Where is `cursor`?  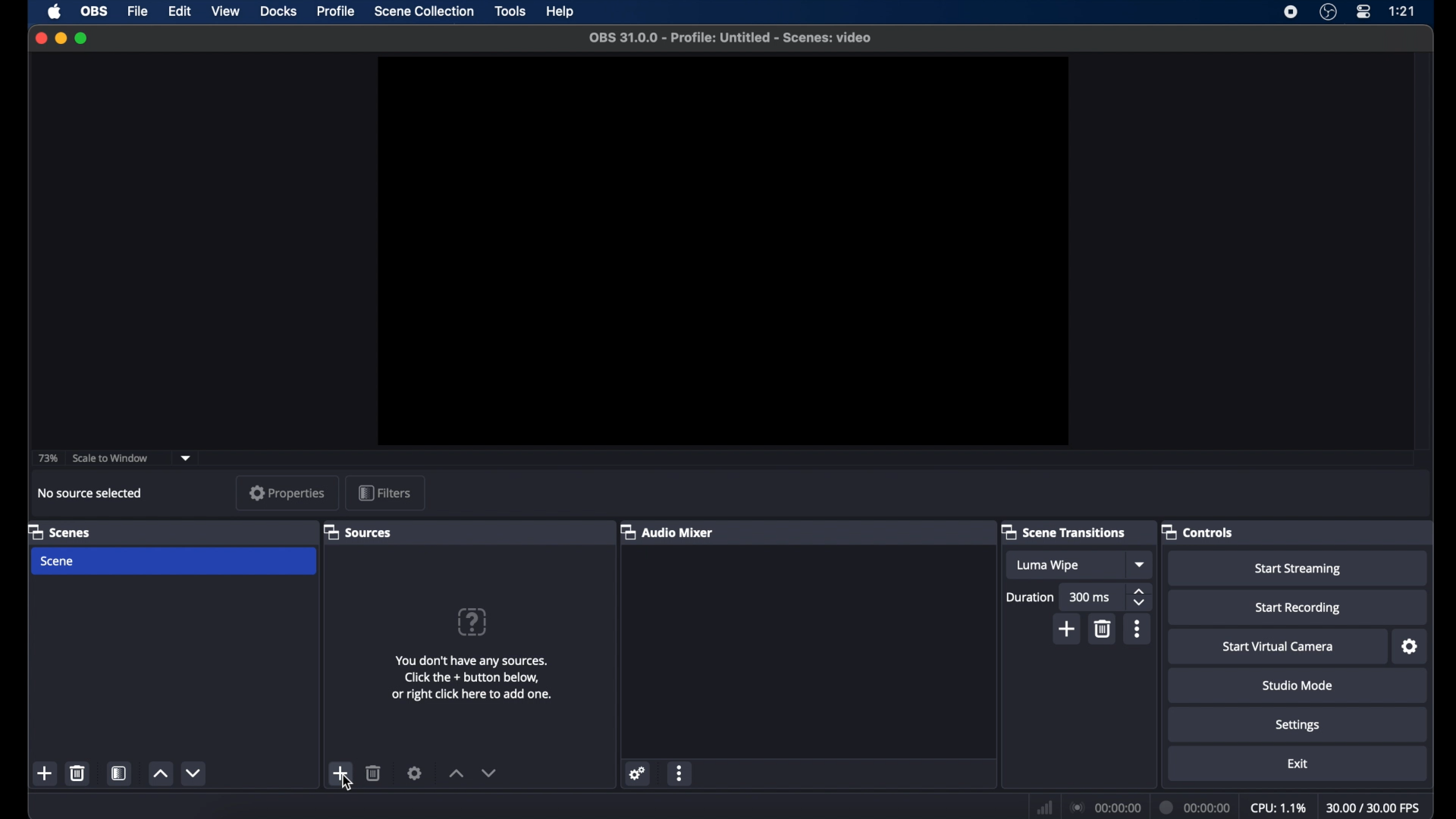
cursor is located at coordinates (350, 785).